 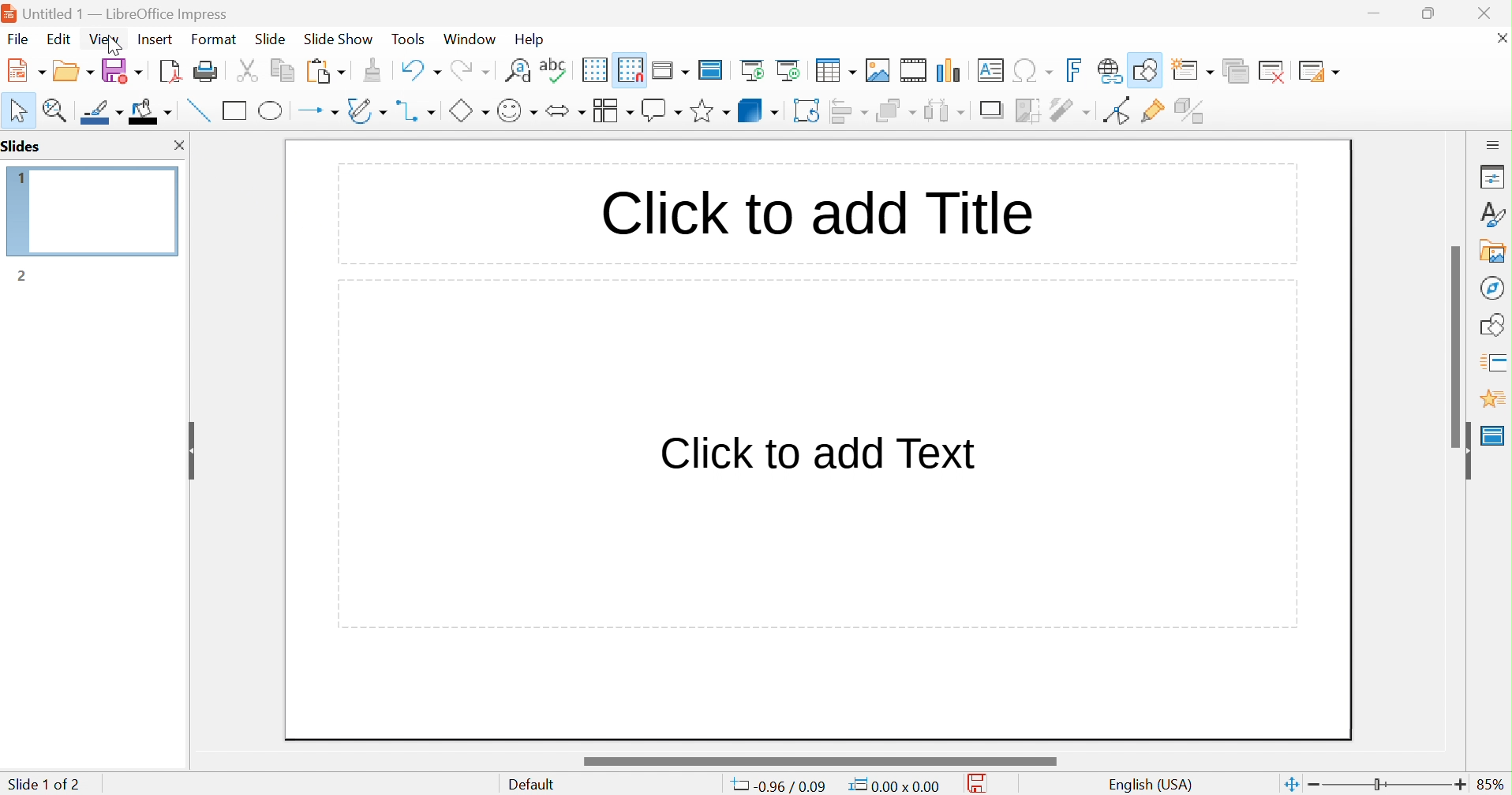 What do you see at coordinates (168, 70) in the screenshot?
I see `export as pdf` at bounding box center [168, 70].